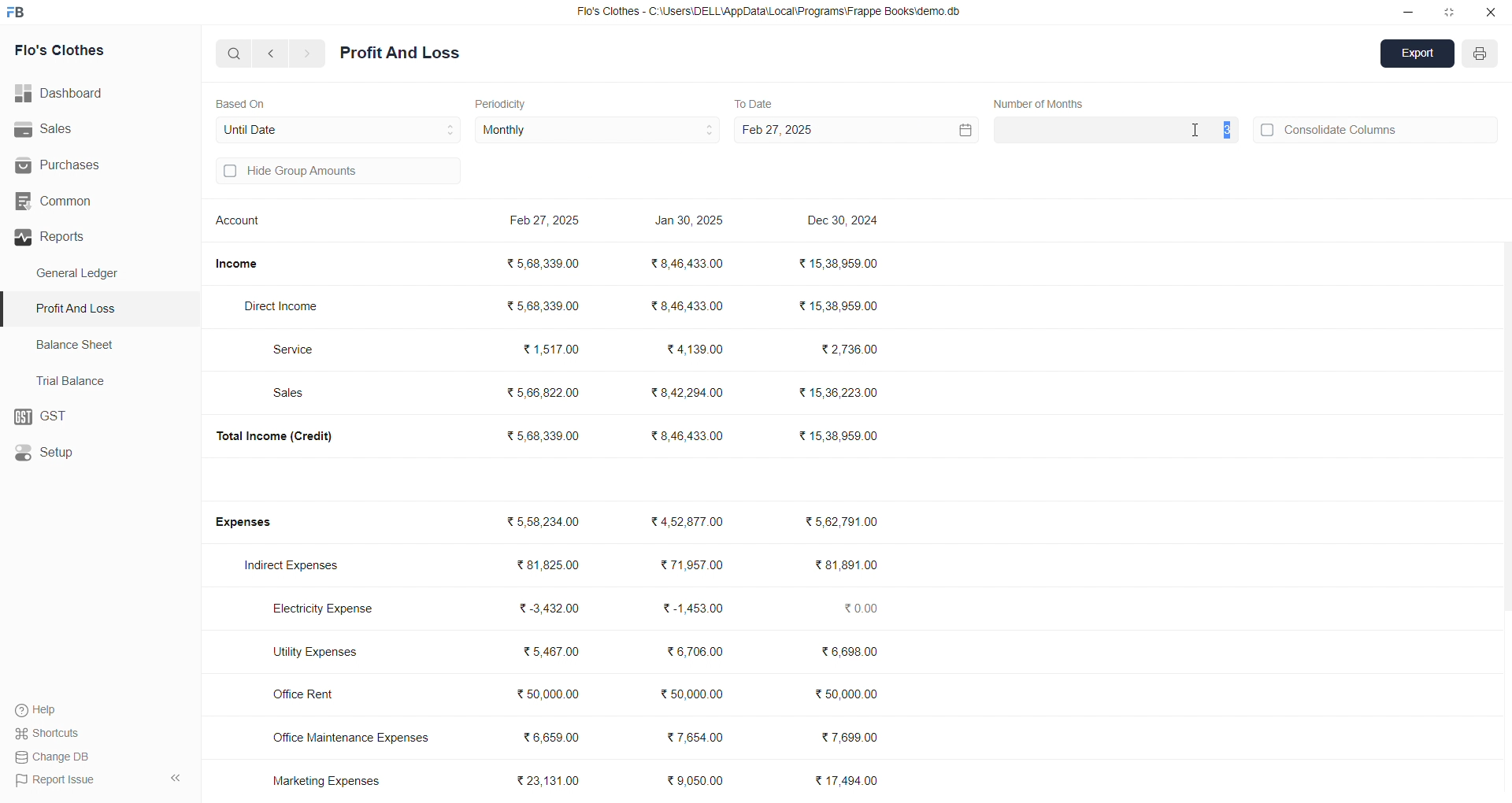  What do you see at coordinates (317, 695) in the screenshot?
I see `Office Rent` at bounding box center [317, 695].